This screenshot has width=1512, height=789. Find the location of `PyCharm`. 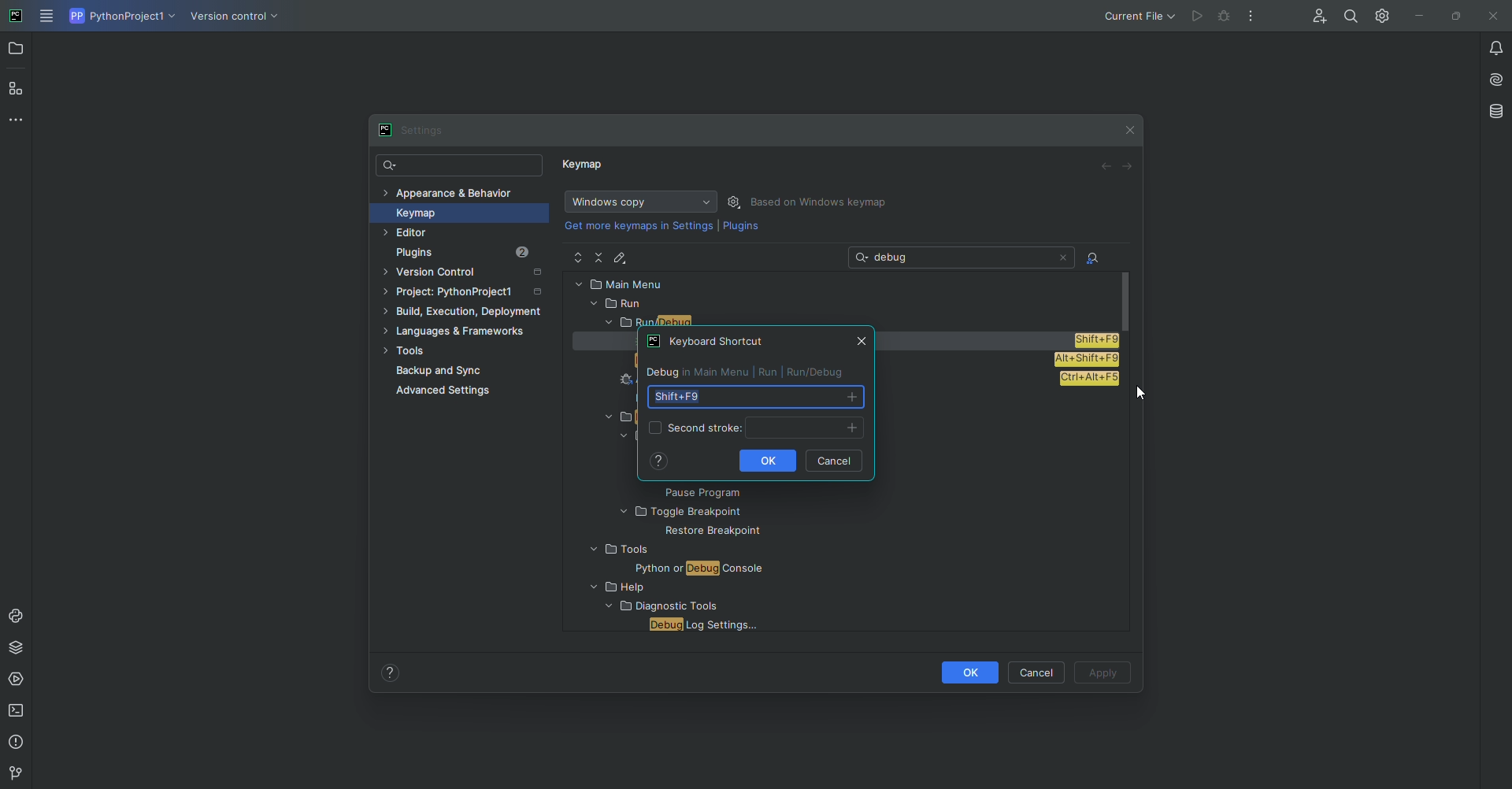

PyCharm is located at coordinates (17, 17).